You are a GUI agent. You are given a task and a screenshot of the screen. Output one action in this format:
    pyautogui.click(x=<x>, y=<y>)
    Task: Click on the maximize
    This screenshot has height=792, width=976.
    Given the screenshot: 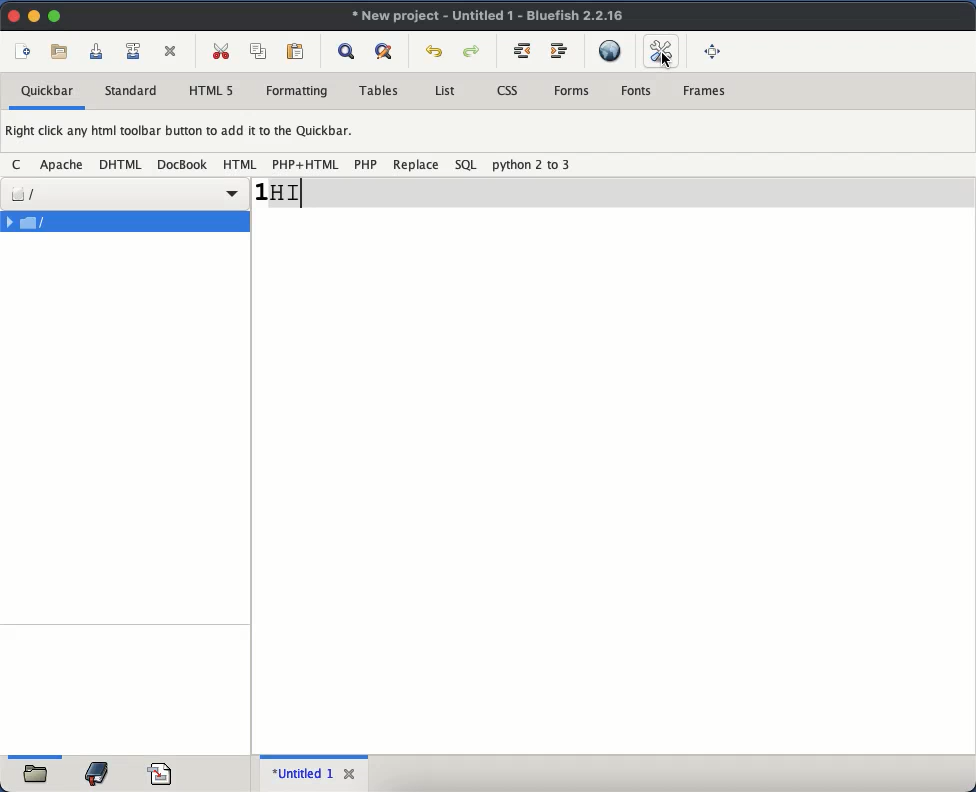 What is the action you would take?
    pyautogui.click(x=56, y=15)
    